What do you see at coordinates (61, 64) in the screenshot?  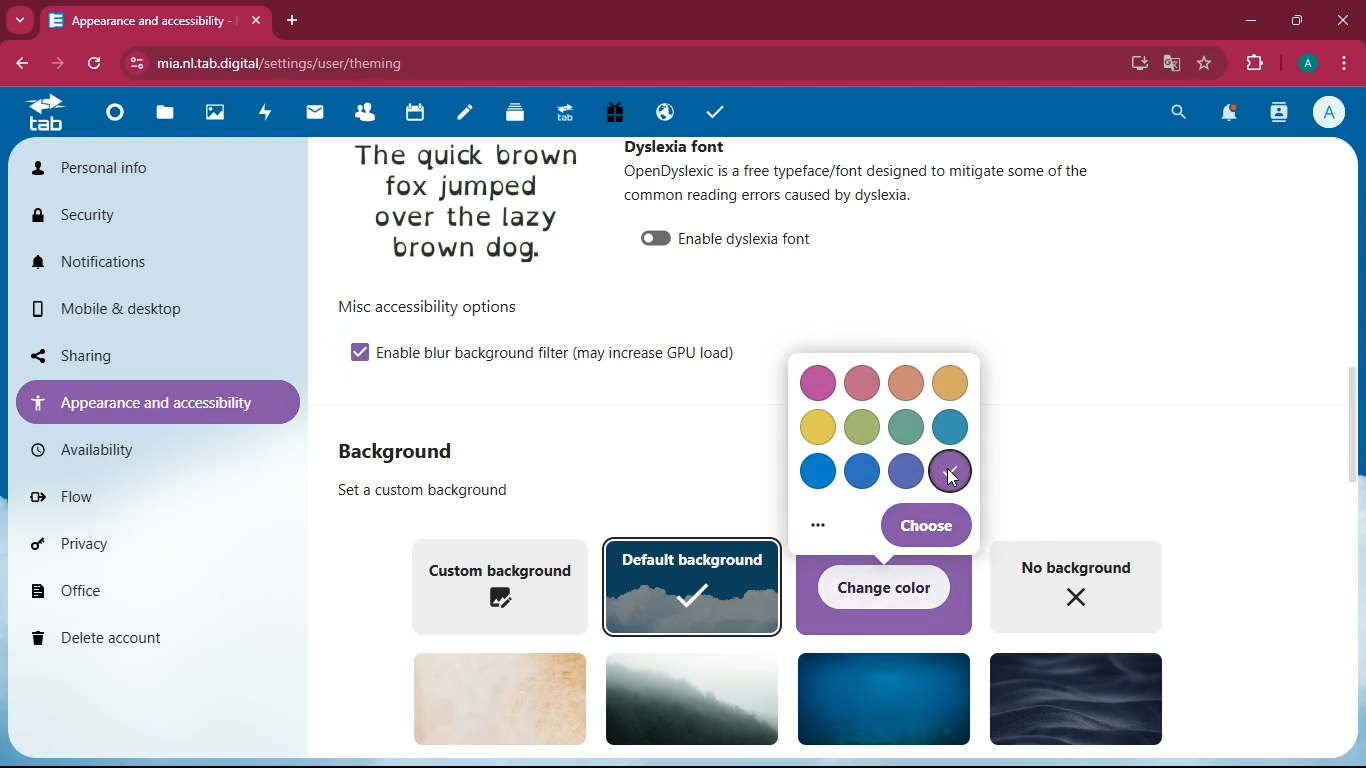 I see `forward` at bounding box center [61, 64].